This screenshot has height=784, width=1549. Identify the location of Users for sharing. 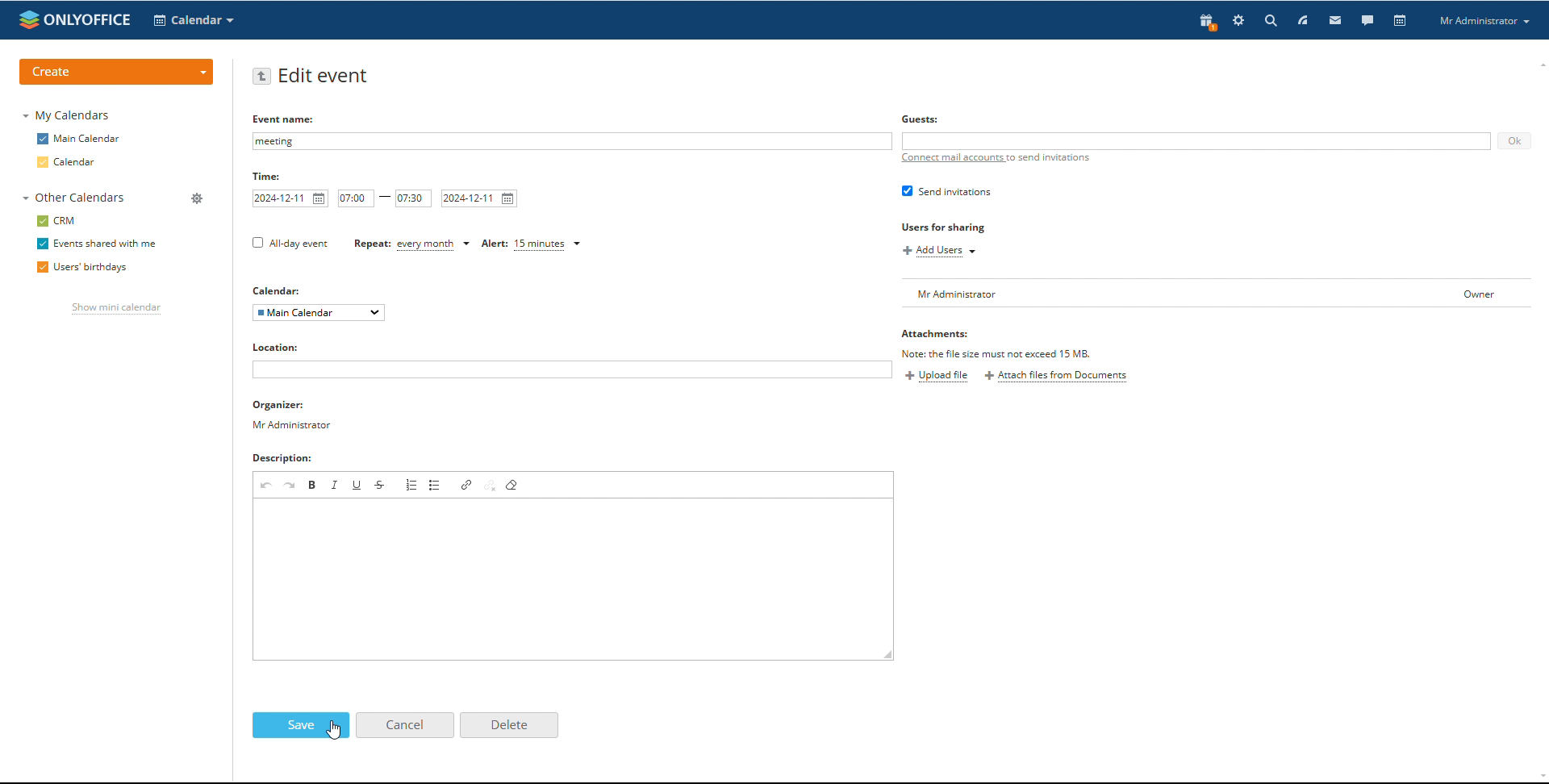
(946, 228).